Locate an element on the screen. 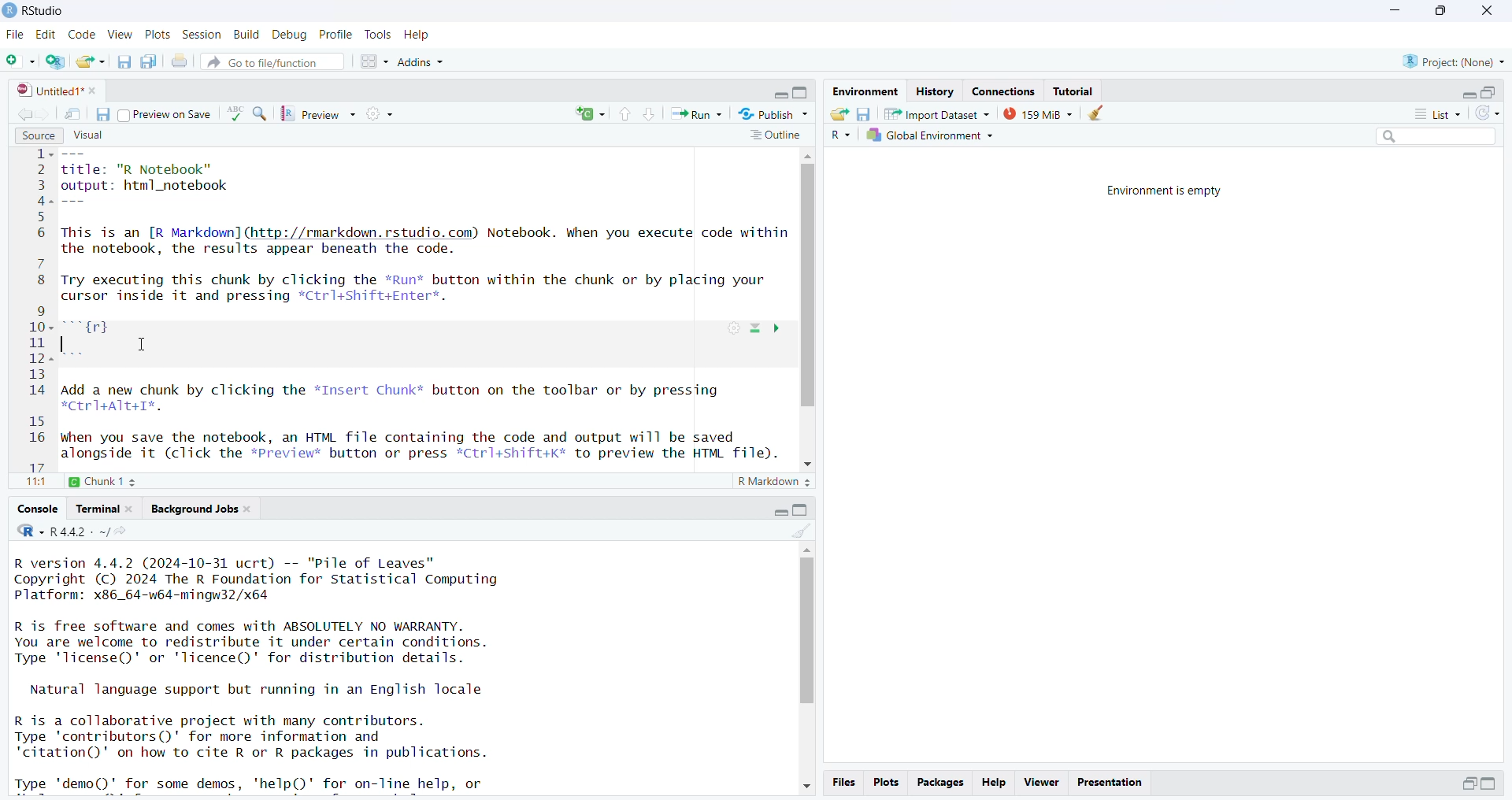 The height and width of the screenshot is (800, 1512). create a project is located at coordinates (57, 61).